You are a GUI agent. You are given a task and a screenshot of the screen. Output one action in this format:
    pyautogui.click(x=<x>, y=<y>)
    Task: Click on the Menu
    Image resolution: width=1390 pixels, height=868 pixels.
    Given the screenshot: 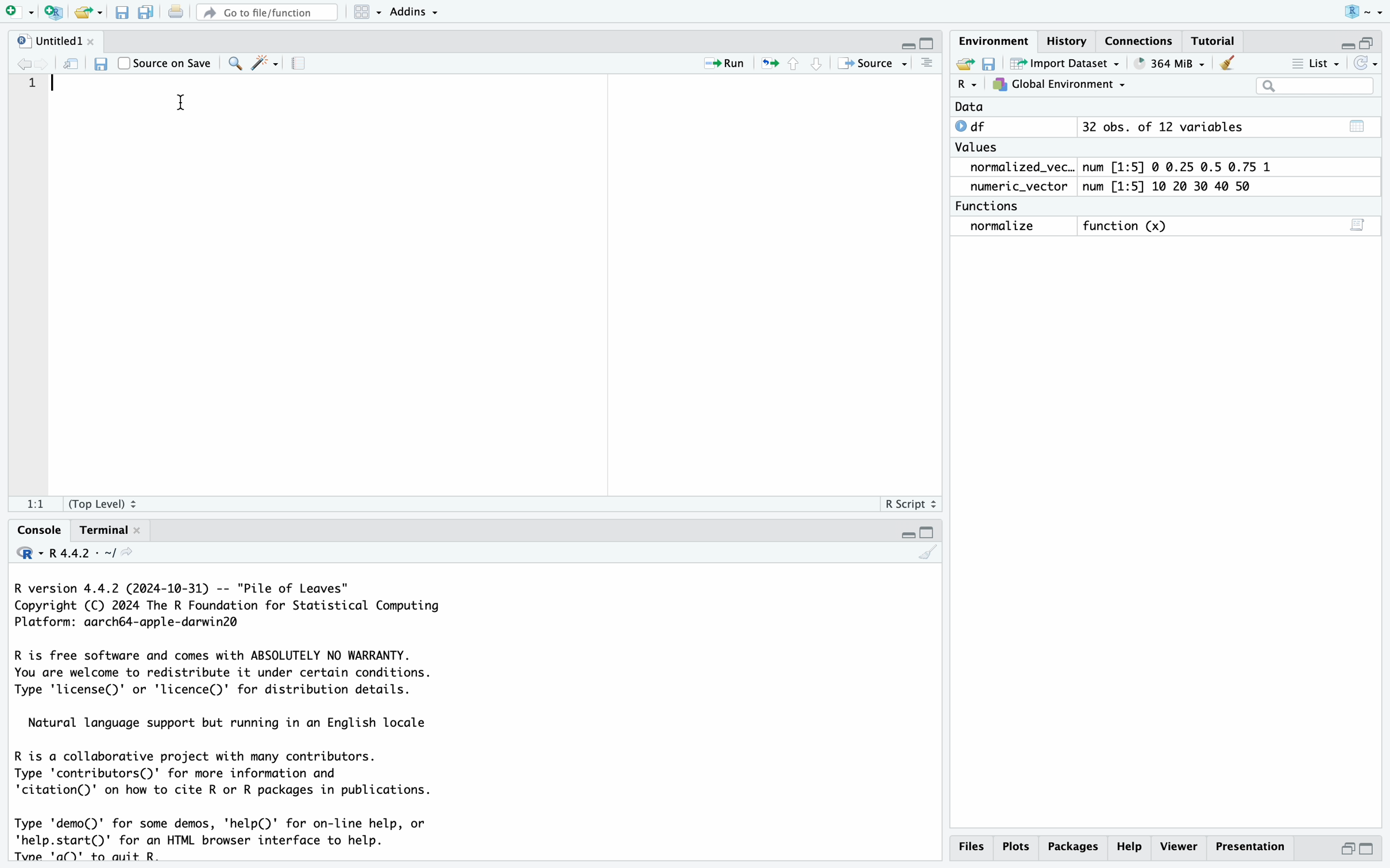 What is the action you would take?
    pyautogui.click(x=368, y=12)
    